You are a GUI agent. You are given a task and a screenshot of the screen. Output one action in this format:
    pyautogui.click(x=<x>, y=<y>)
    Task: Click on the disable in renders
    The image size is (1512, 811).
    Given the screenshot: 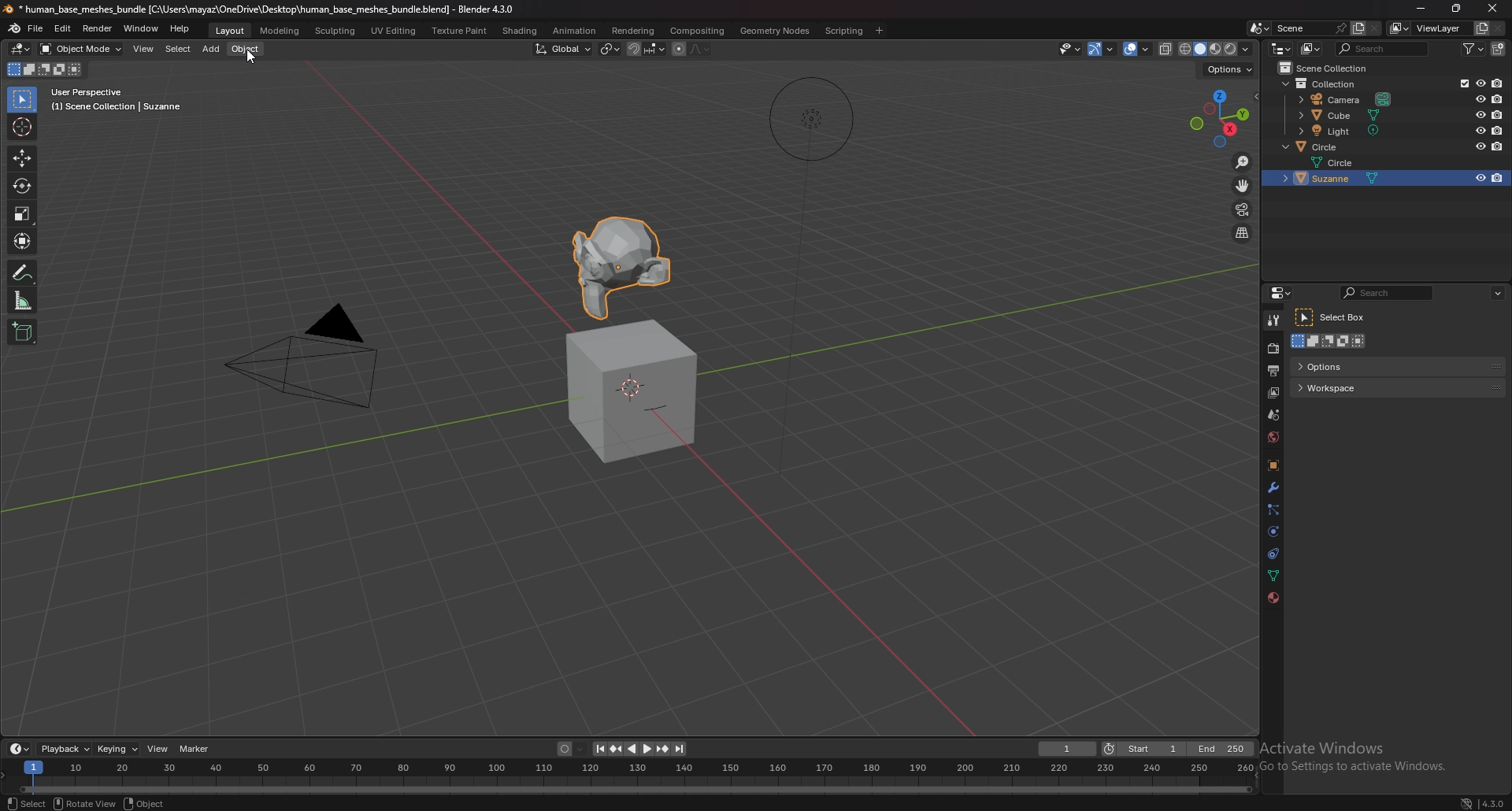 What is the action you would take?
    pyautogui.click(x=1498, y=98)
    